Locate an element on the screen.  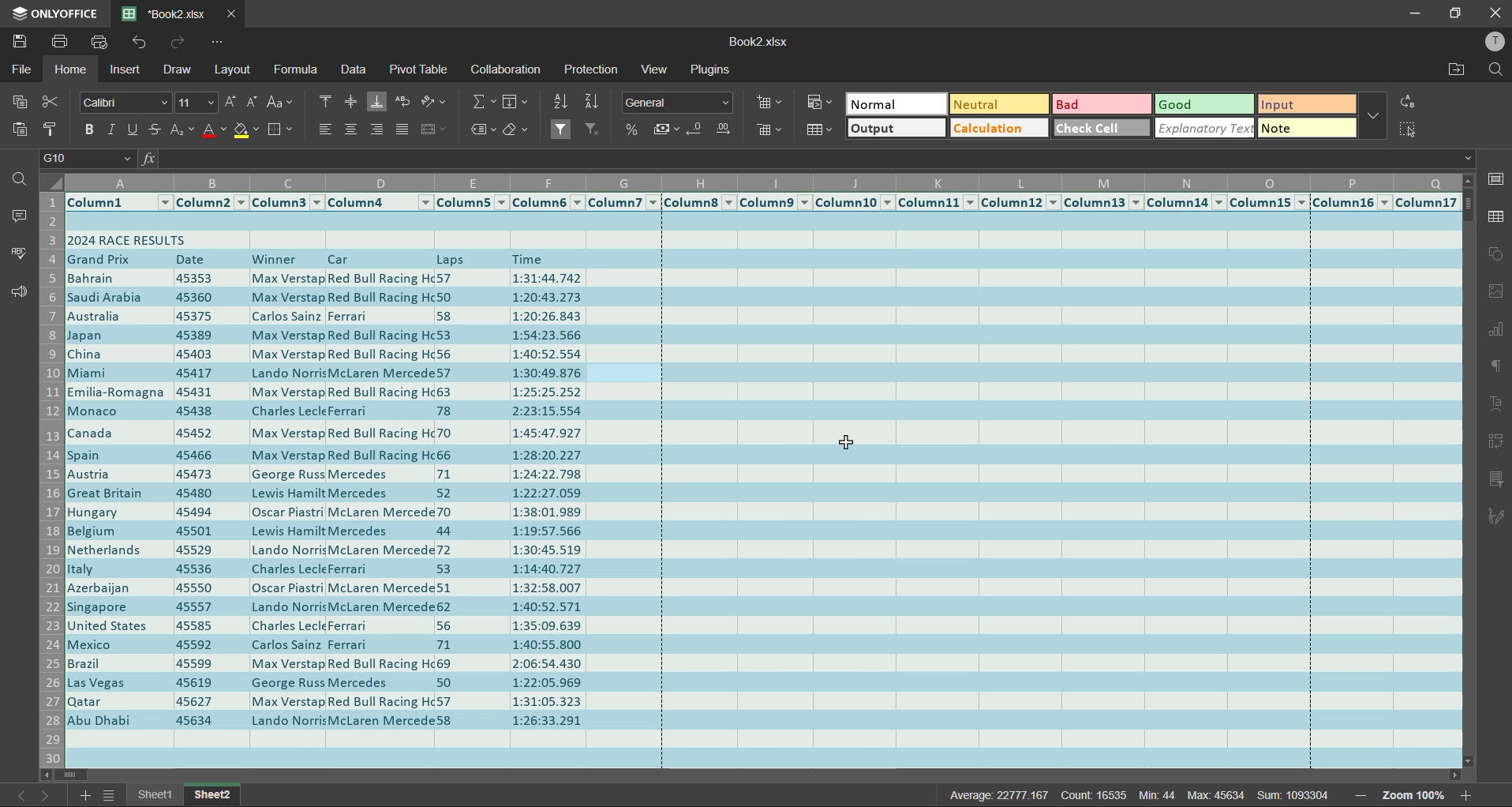
align center is located at coordinates (350, 129).